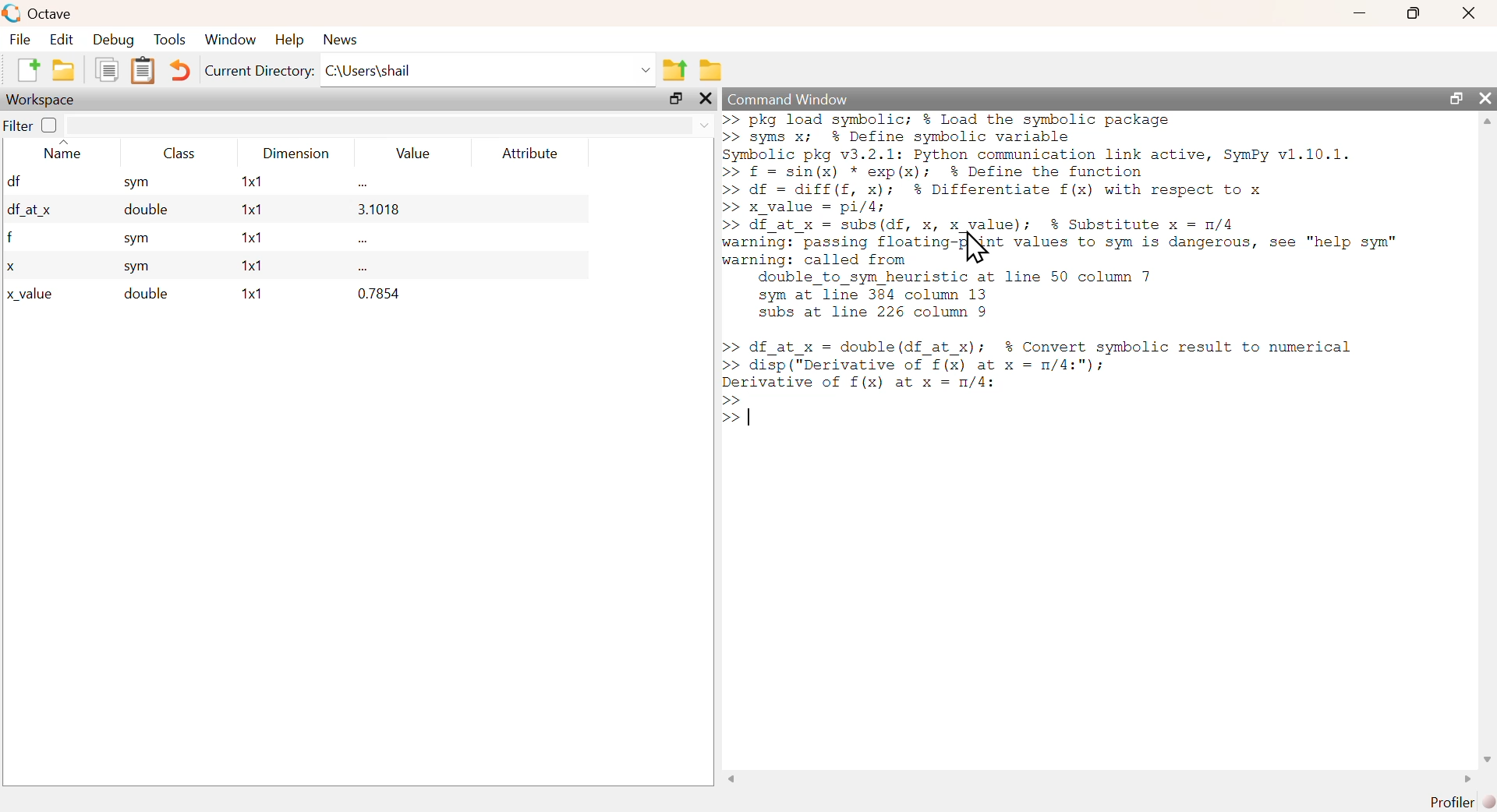  Describe the element at coordinates (19, 39) in the screenshot. I see `File` at that location.